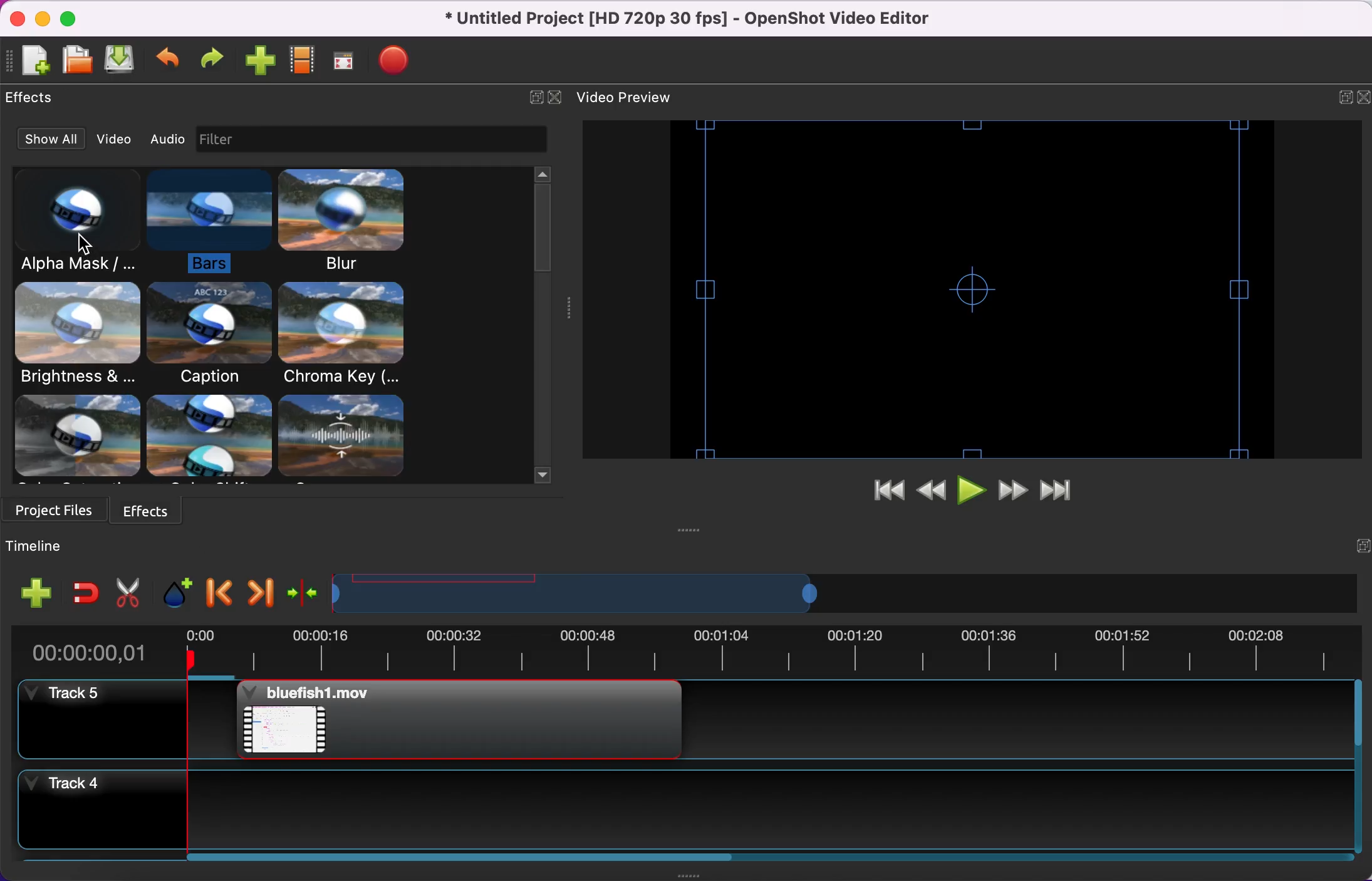 This screenshot has width=1372, height=881. I want to click on video, so click(115, 138).